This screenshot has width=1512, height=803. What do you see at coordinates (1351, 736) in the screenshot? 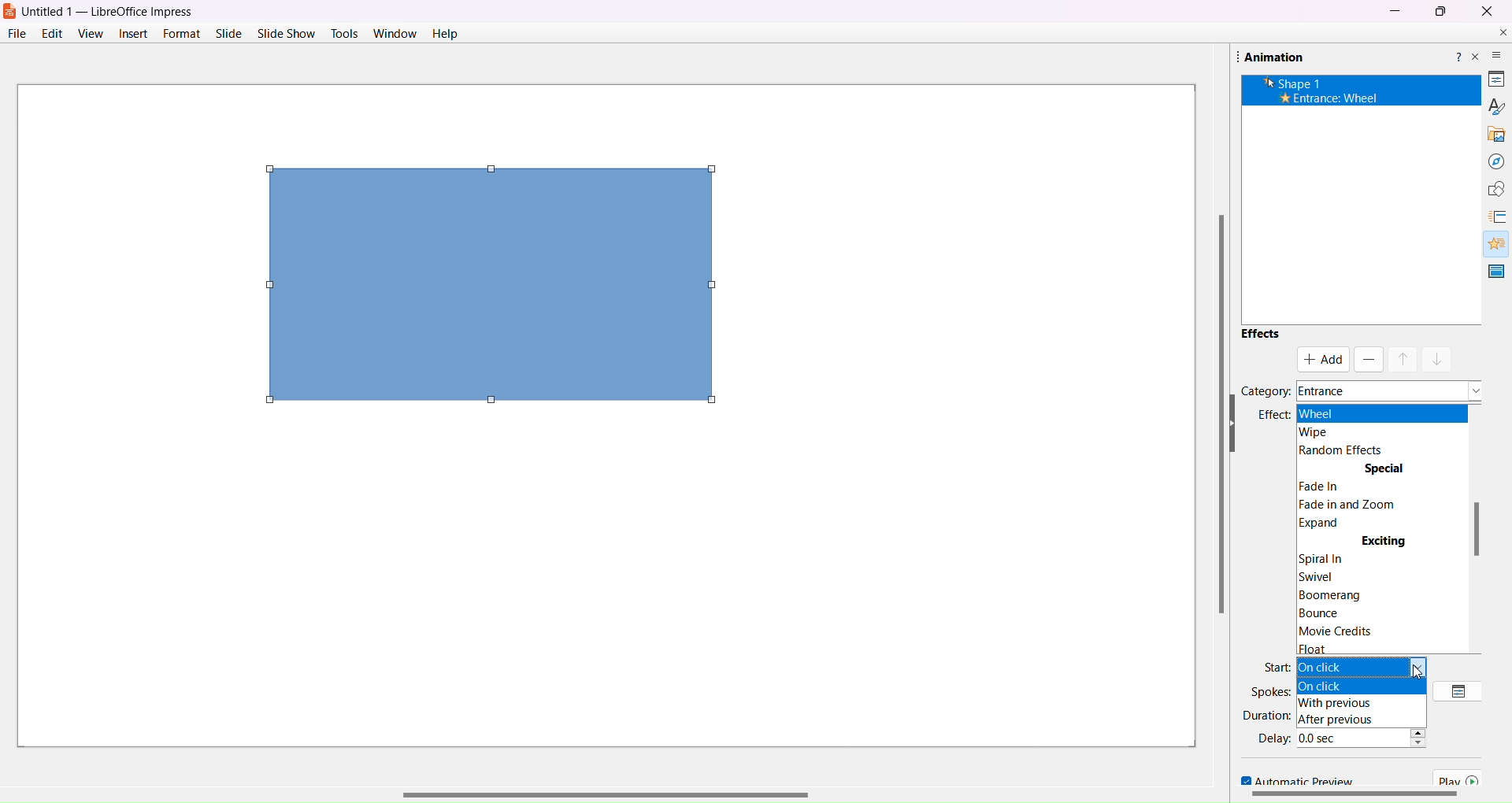
I see `Time` at bounding box center [1351, 736].